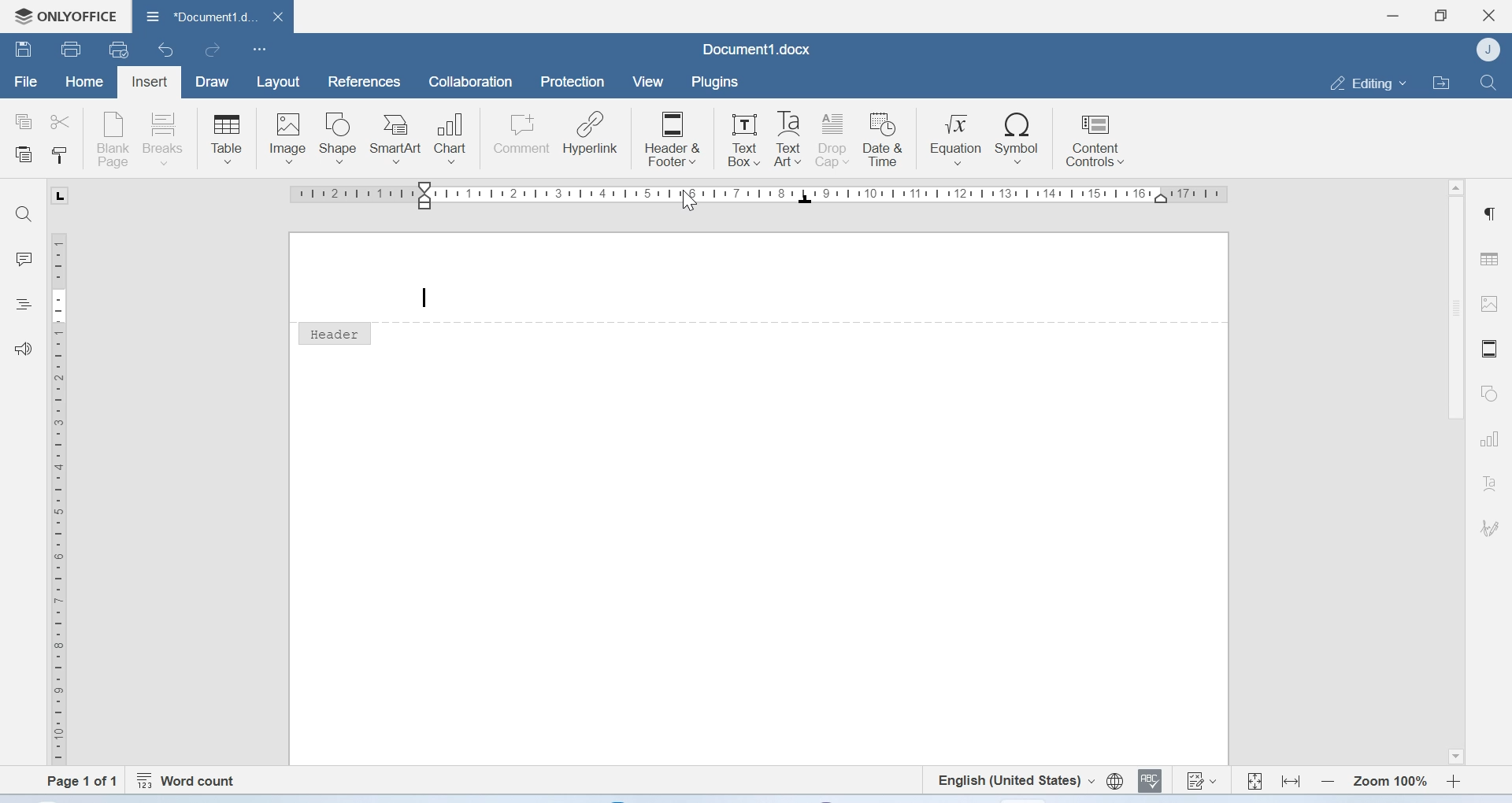 The height and width of the screenshot is (803, 1512). What do you see at coordinates (1489, 16) in the screenshot?
I see `Close` at bounding box center [1489, 16].